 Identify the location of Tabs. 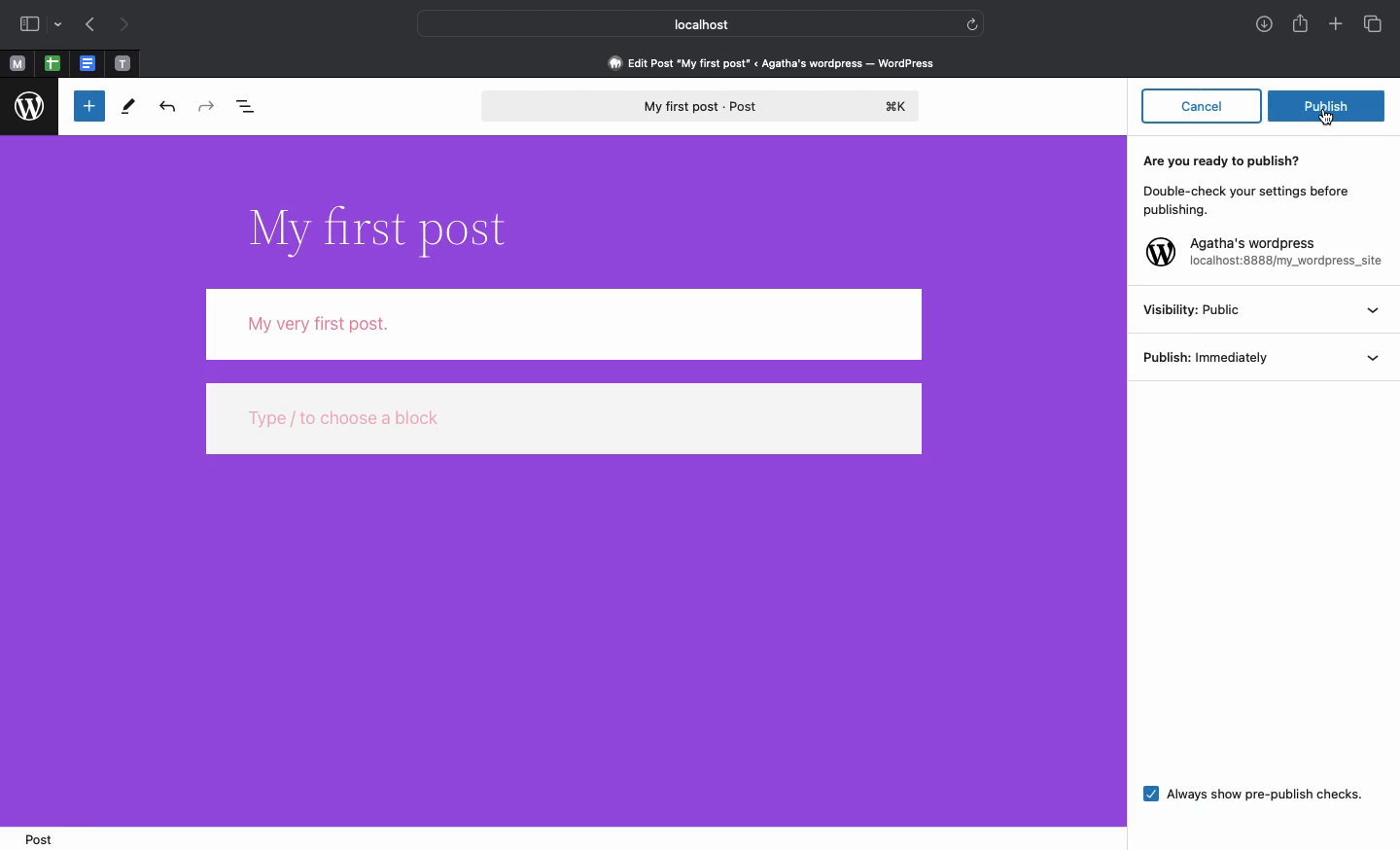
(1376, 24).